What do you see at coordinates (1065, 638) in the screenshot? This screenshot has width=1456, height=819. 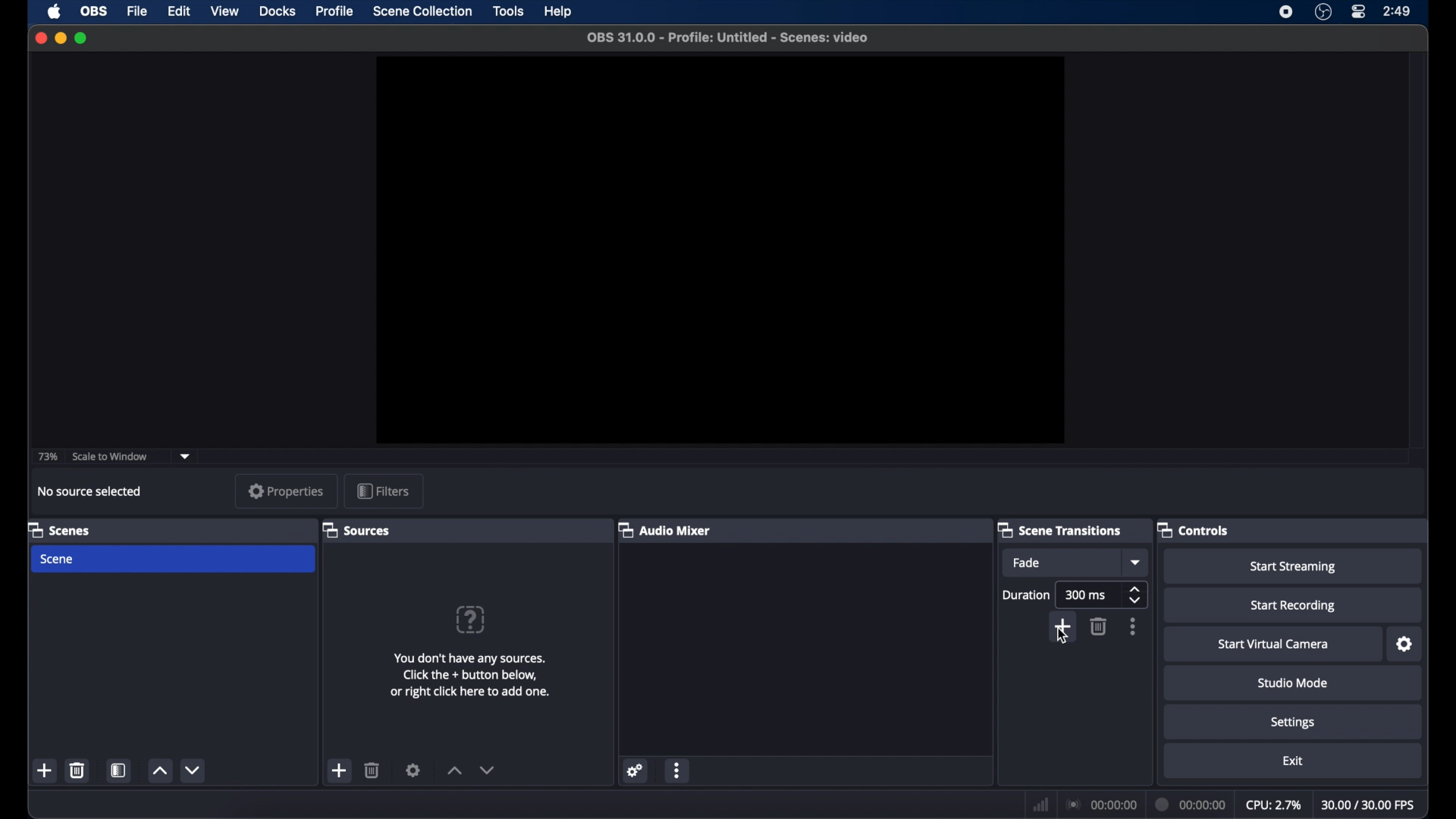 I see `cursor` at bounding box center [1065, 638].